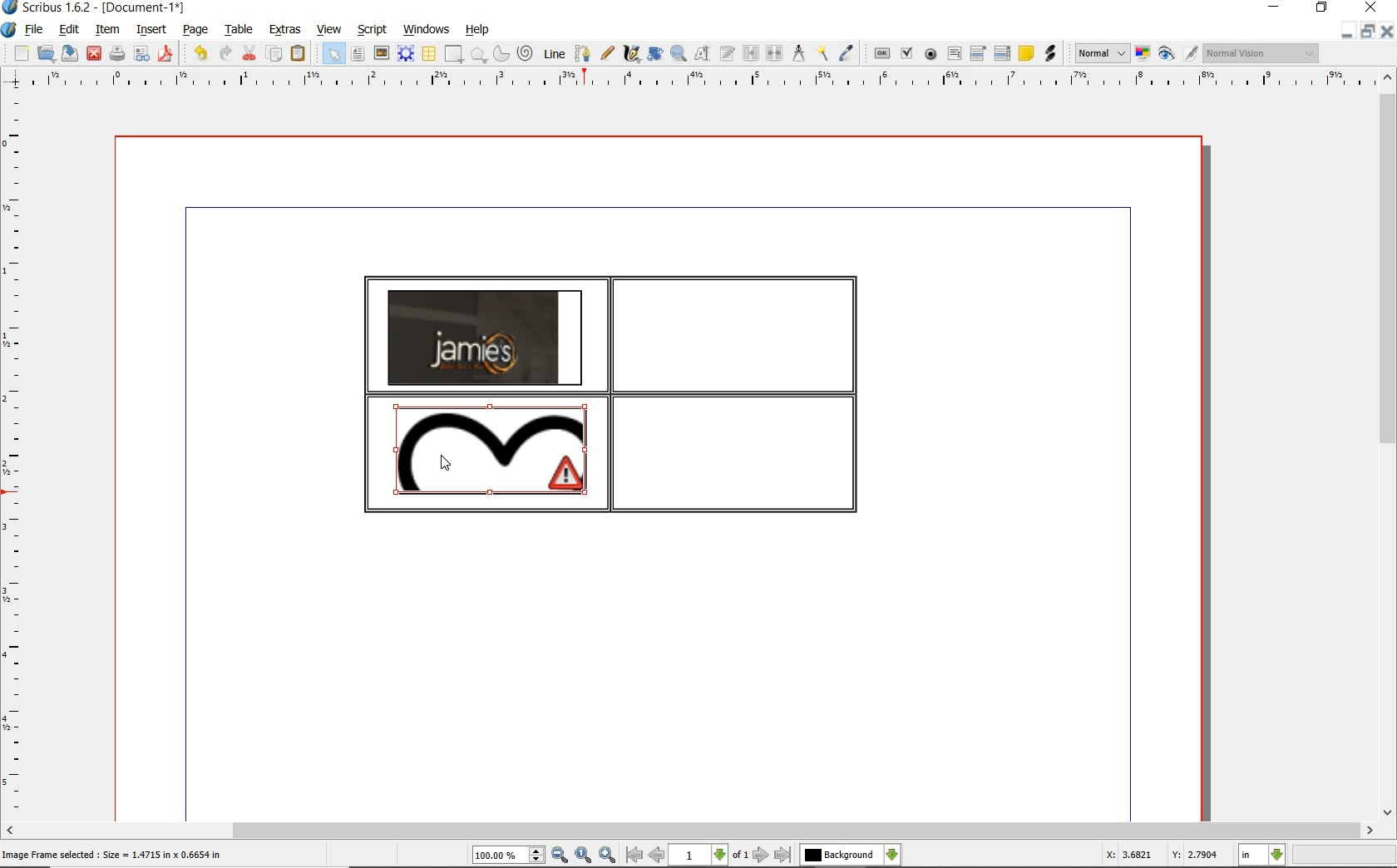 This screenshot has width=1397, height=868. What do you see at coordinates (240, 31) in the screenshot?
I see `table` at bounding box center [240, 31].